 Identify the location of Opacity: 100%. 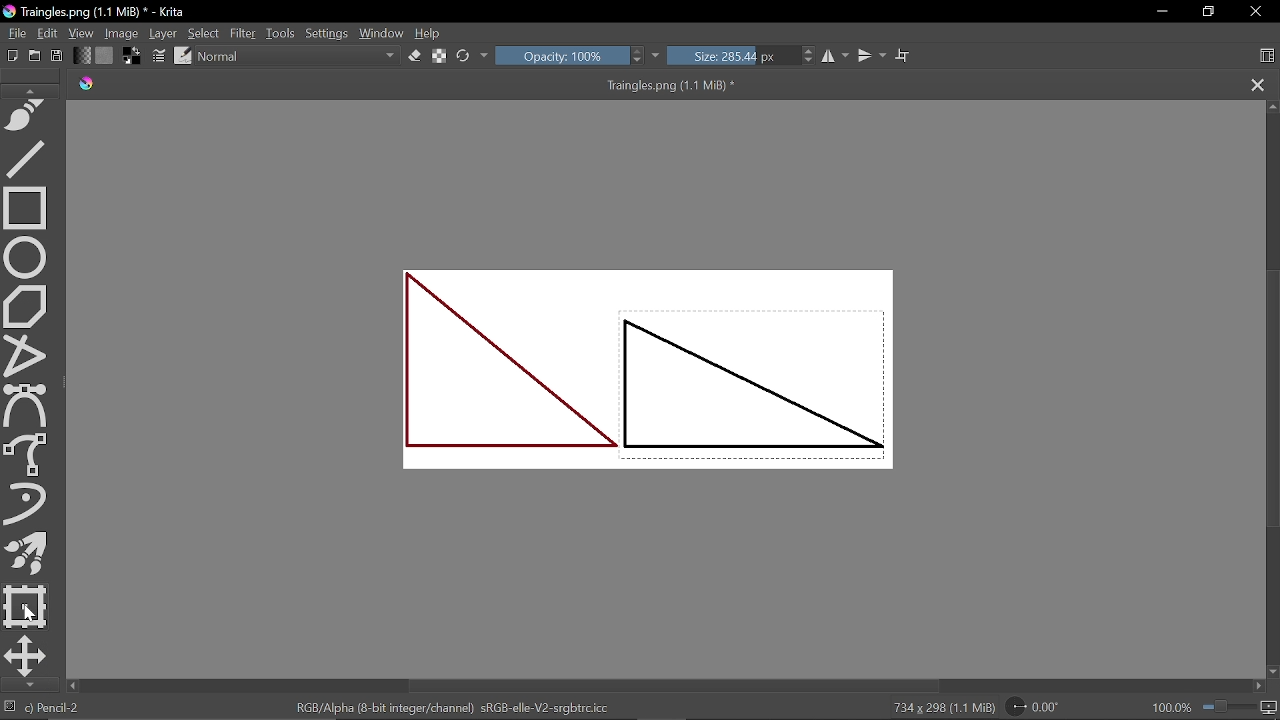
(570, 57).